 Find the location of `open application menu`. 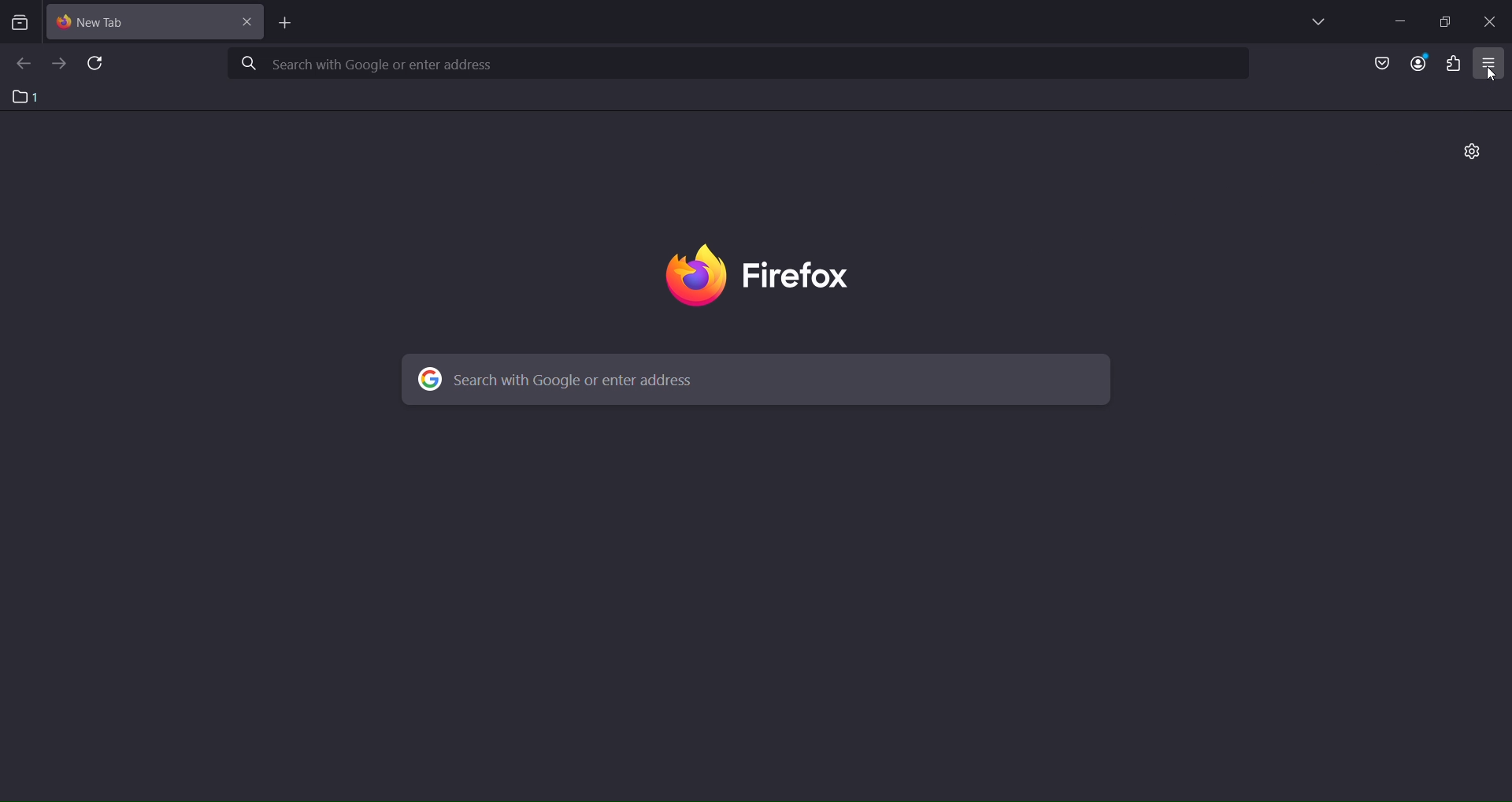

open application menu is located at coordinates (1492, 64).